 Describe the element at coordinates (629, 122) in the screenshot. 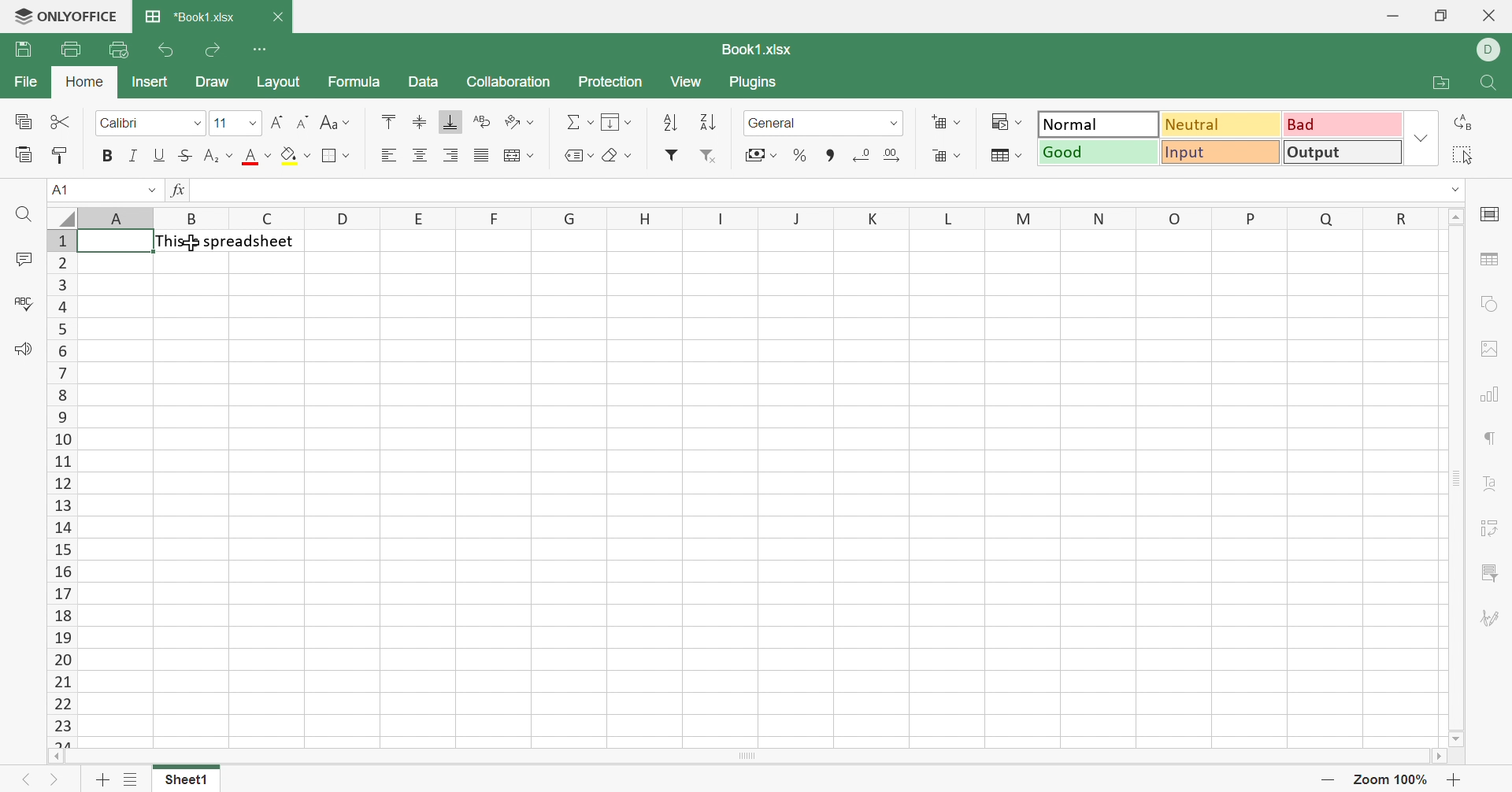

I see `Drop Down` at that location.